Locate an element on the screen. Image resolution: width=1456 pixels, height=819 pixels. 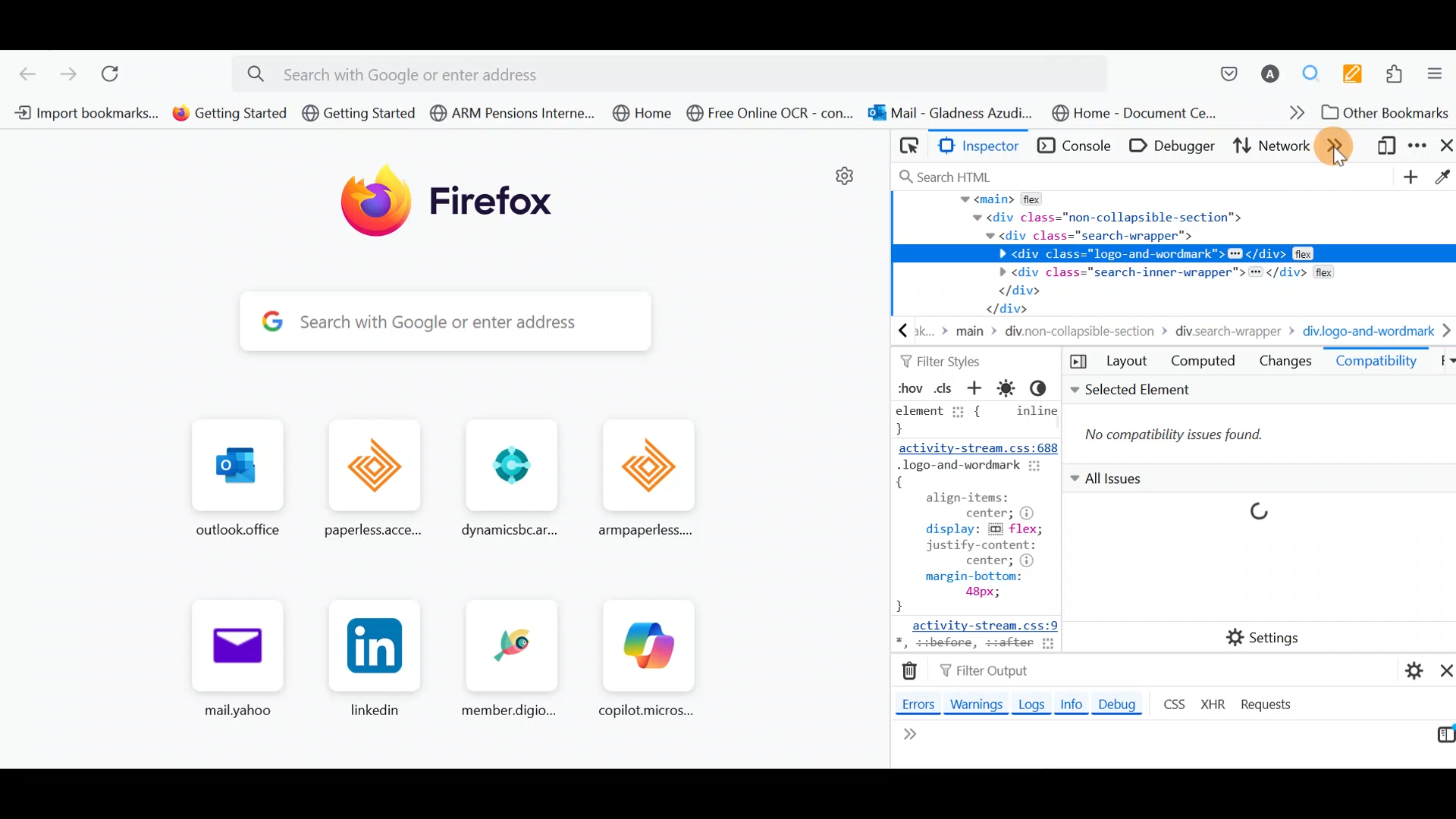
Line editor is located at coordinates (995, 748).